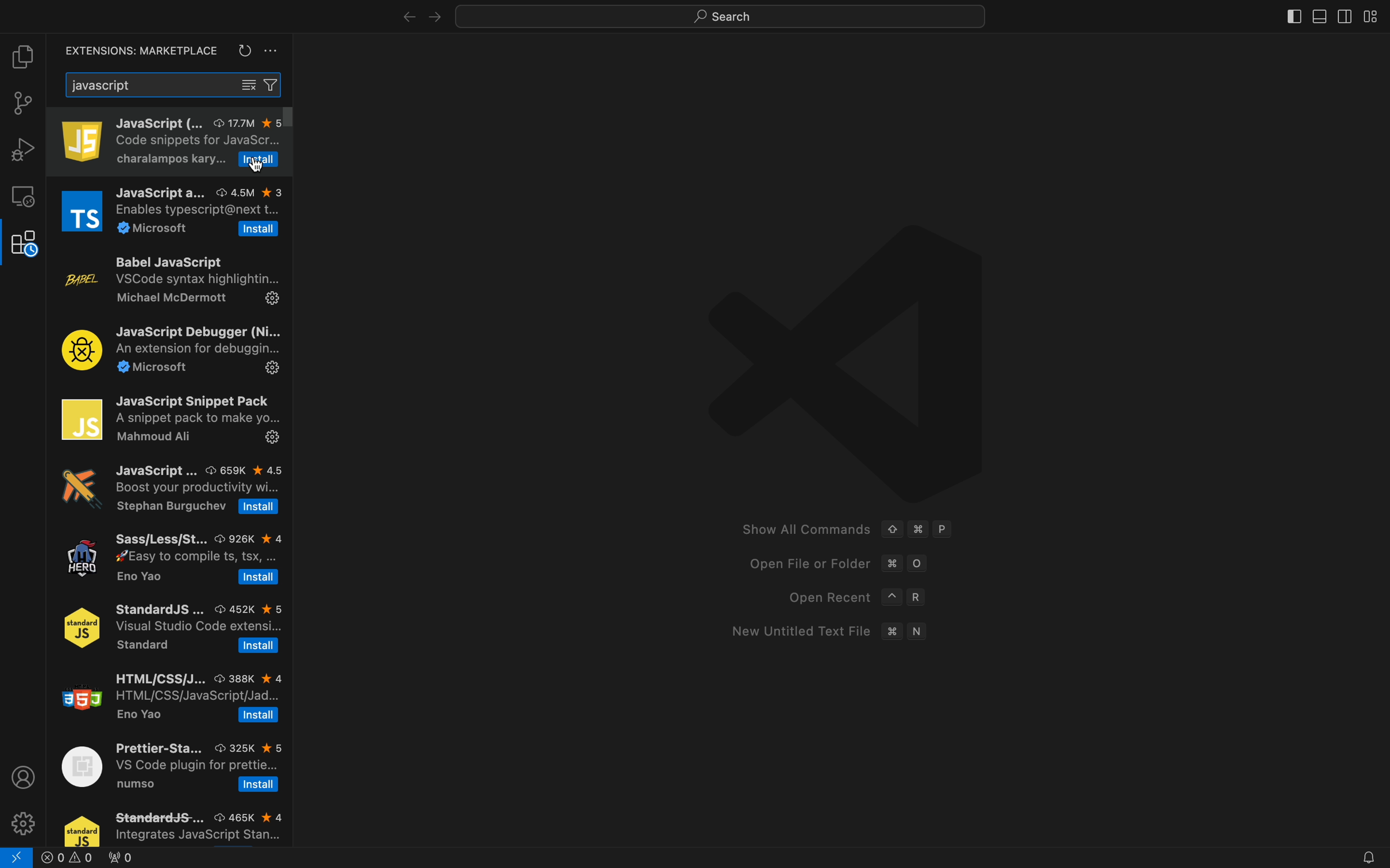 Image resolution: width=1390 pixels, height=868 pixels. Describe the element at coordinates (1372, 15) in the screenshot. I see `layouts` at that location.